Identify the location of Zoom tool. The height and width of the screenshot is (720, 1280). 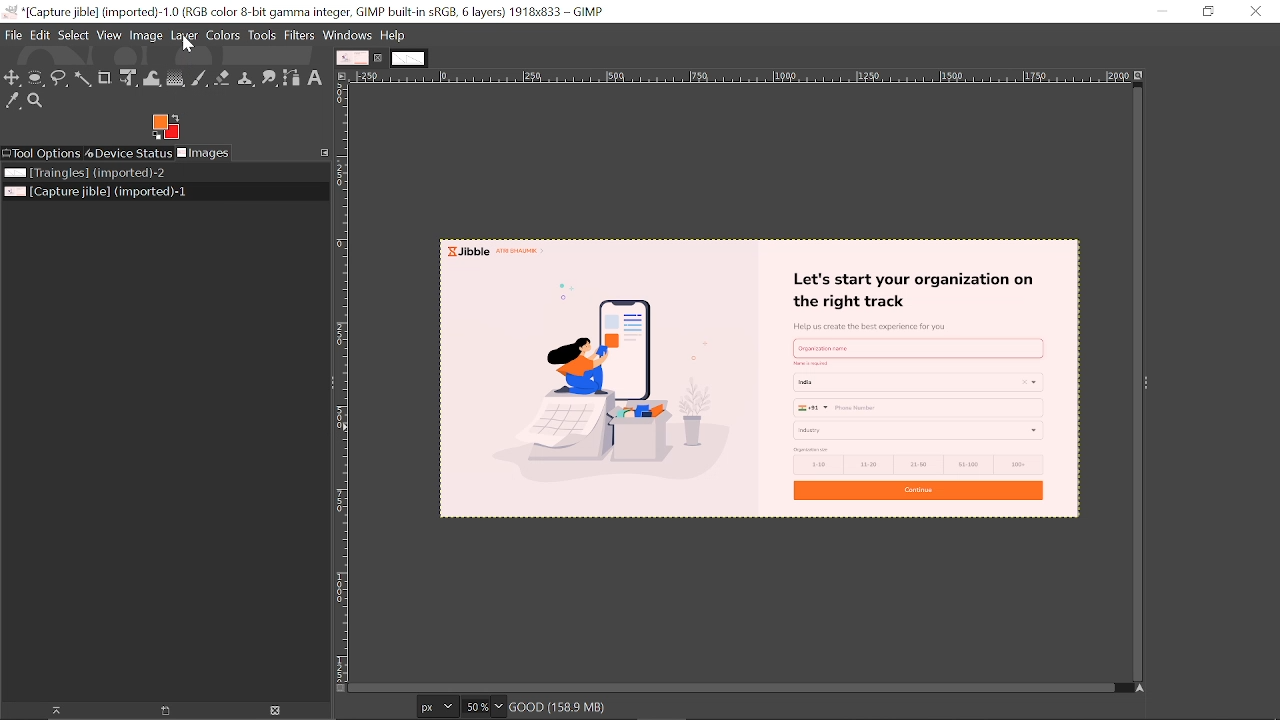
(37, 101).